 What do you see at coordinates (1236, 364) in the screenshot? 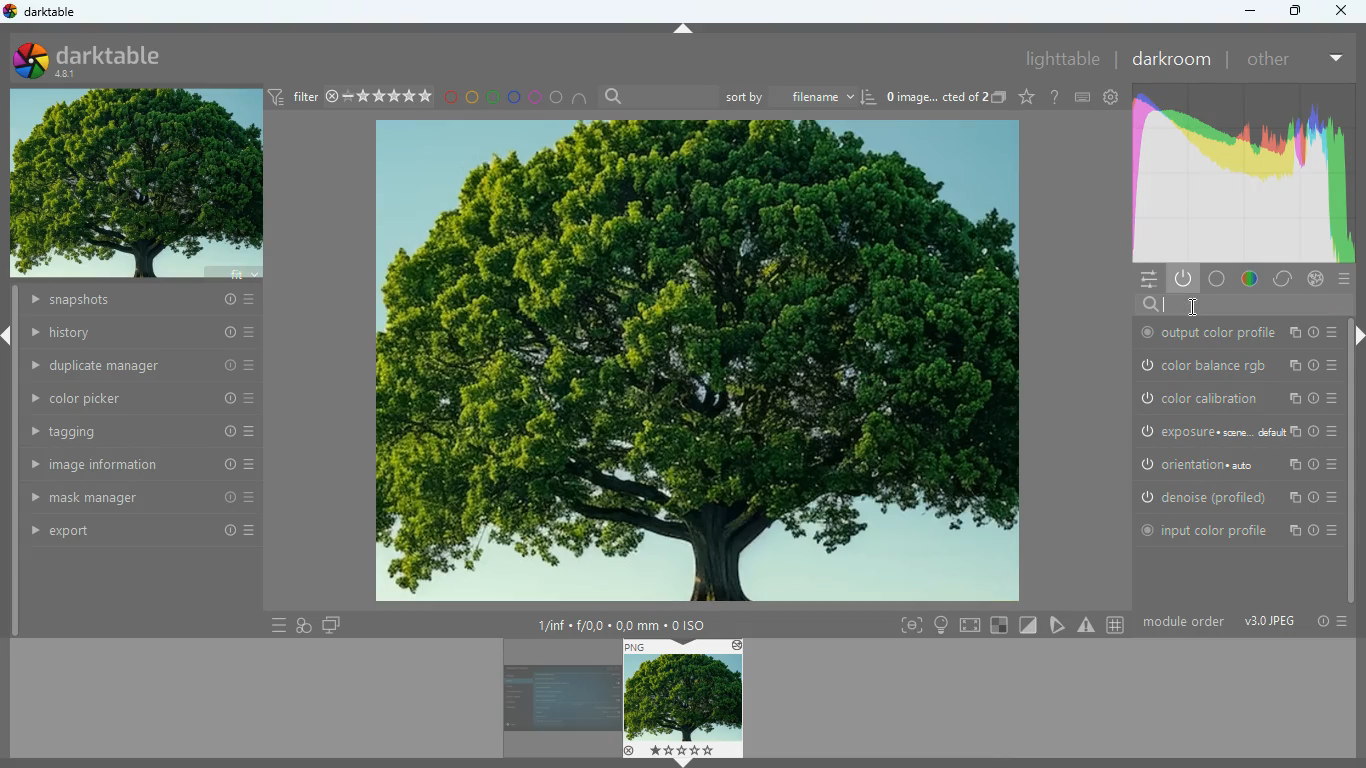
I see `color balance rgb` at bounding box center [1236, 364].